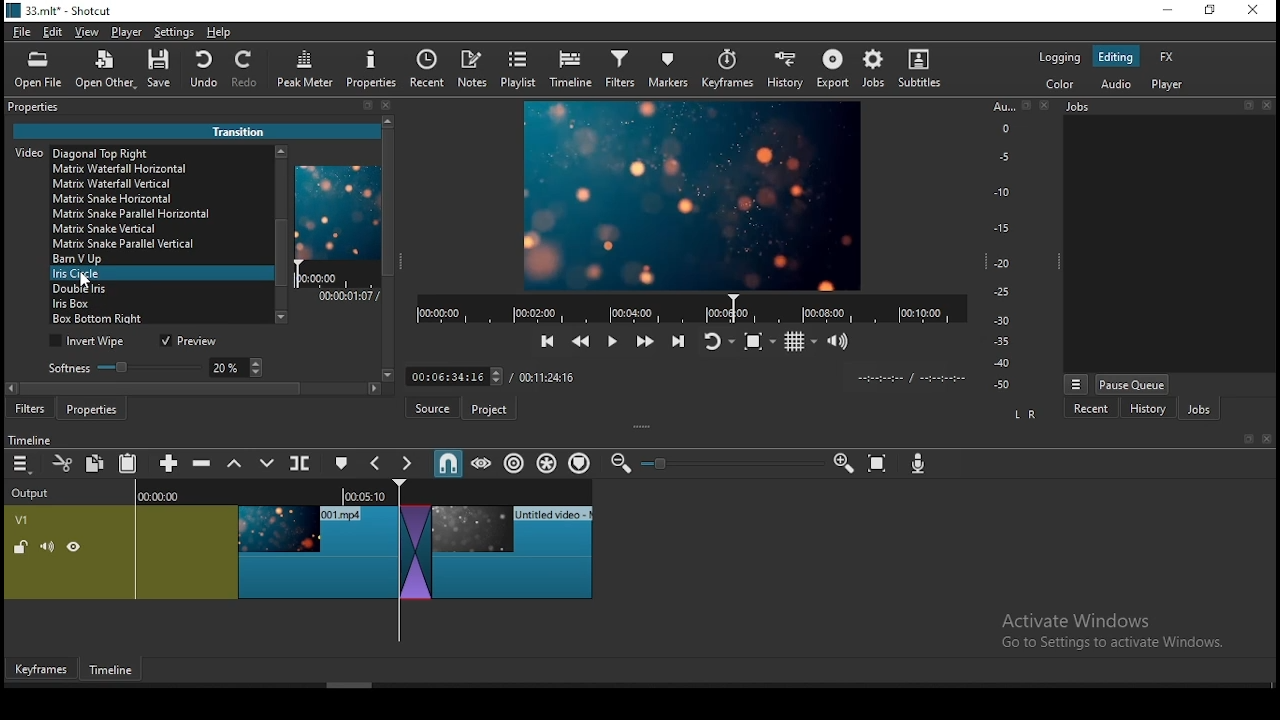 The height and width of the screenshot is (720, 1280). What do you see at coordinates (192, 342) in the screenshot?
I see `preview on/off` at bounding box center [192, 342].